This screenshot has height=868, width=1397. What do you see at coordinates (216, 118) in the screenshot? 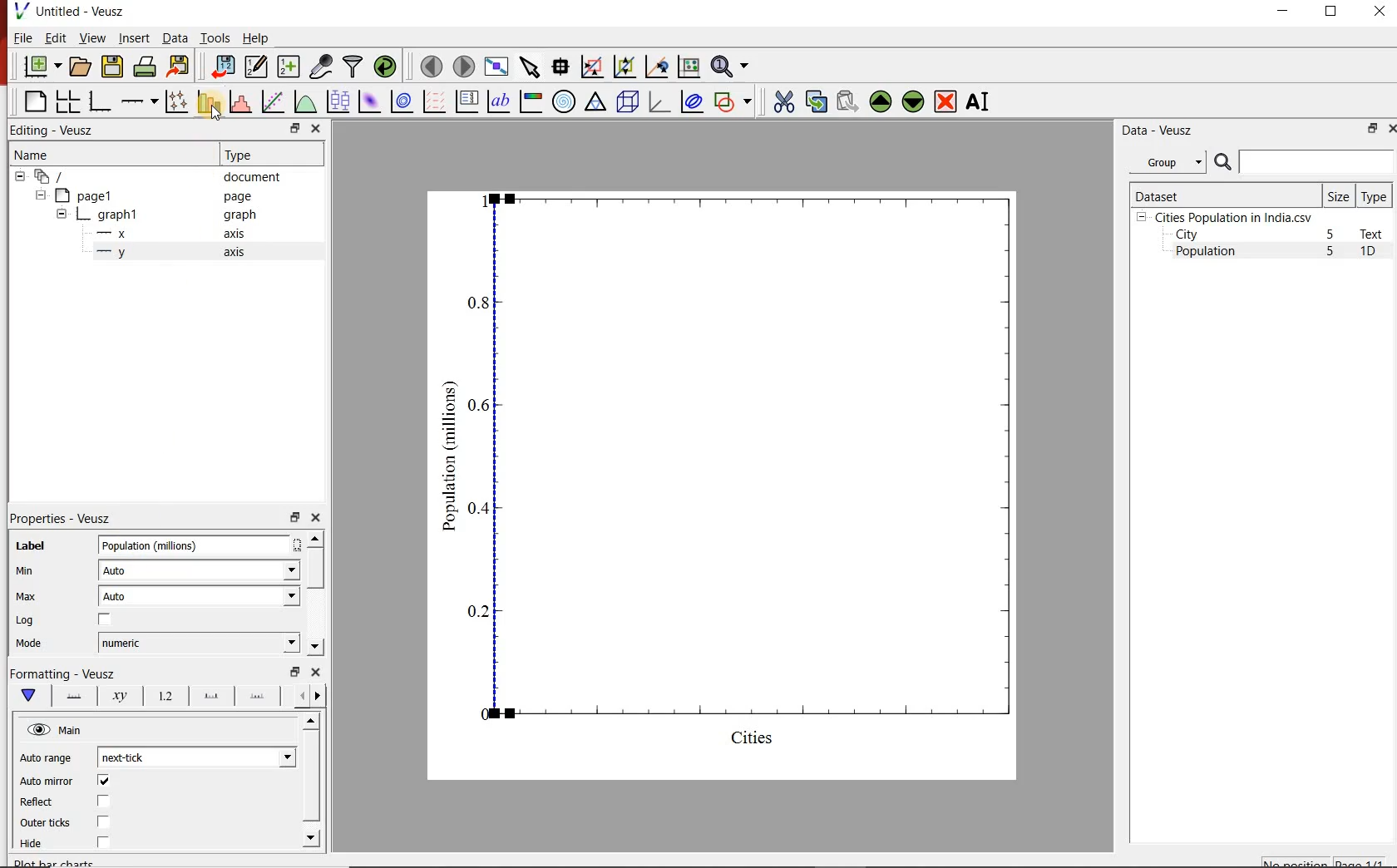
I see `cursor` at bounding box center [216, 118].